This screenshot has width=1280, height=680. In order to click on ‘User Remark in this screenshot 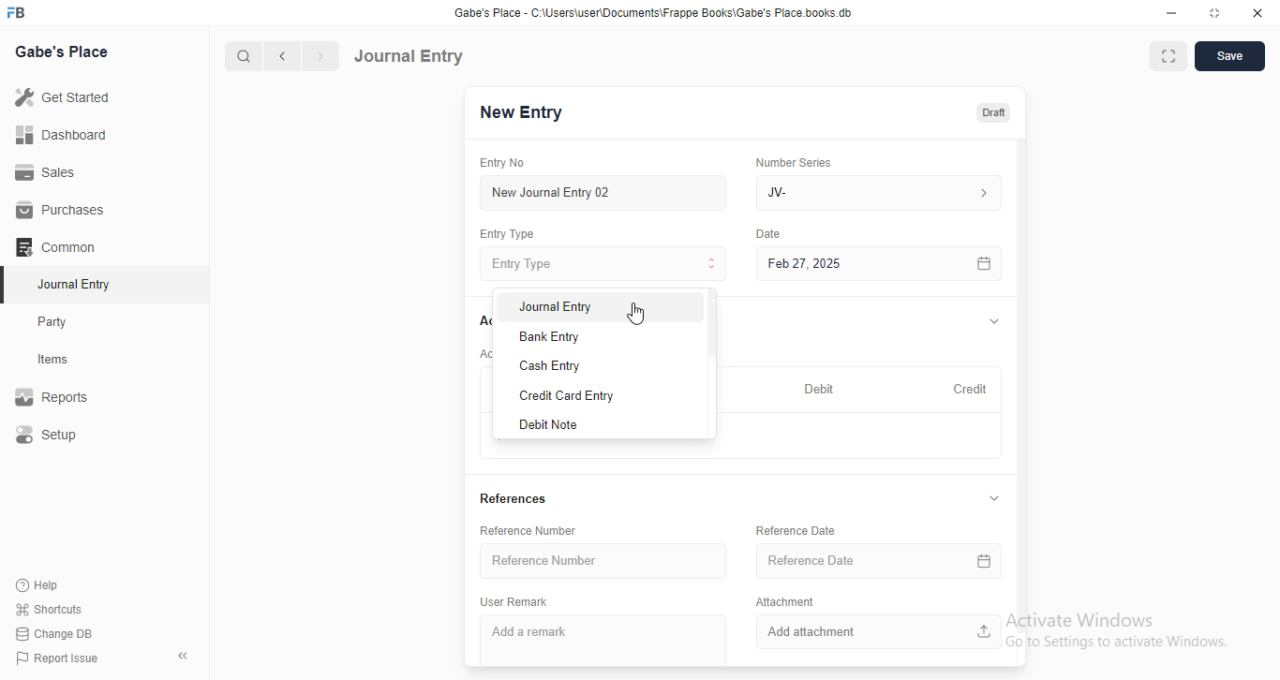, I will do `click(514, 602)`.